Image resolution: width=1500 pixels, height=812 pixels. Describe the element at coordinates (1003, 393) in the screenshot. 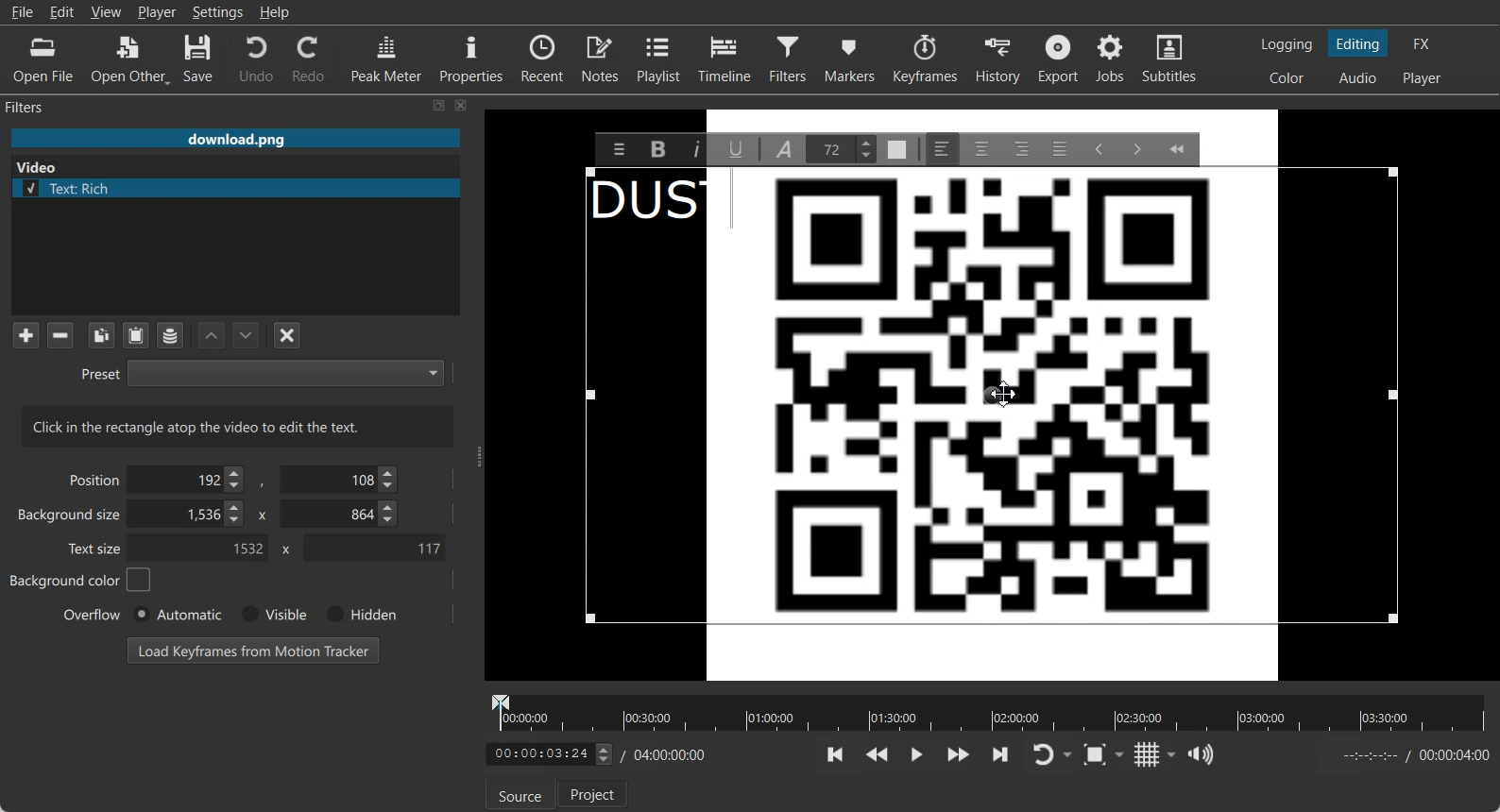

I see `Move Cursor` at that location.